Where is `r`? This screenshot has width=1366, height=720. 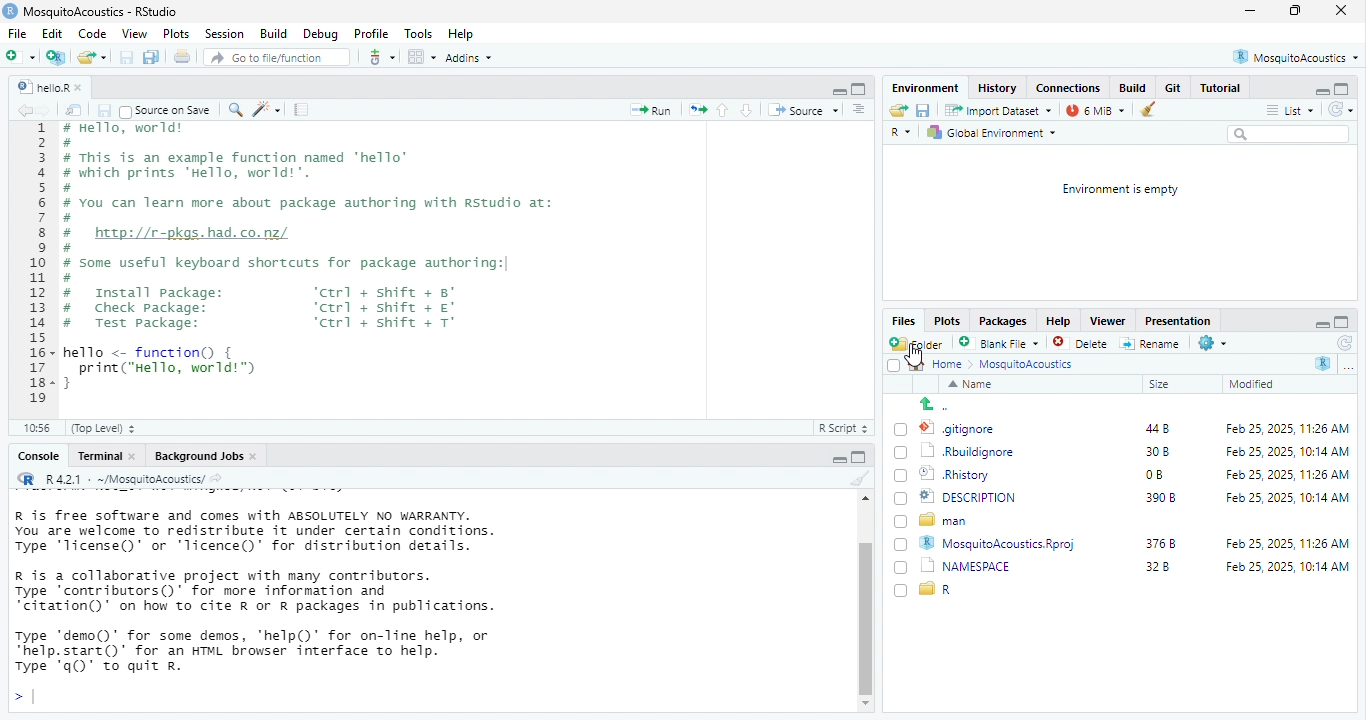
r is located at coordinates (905, 134).